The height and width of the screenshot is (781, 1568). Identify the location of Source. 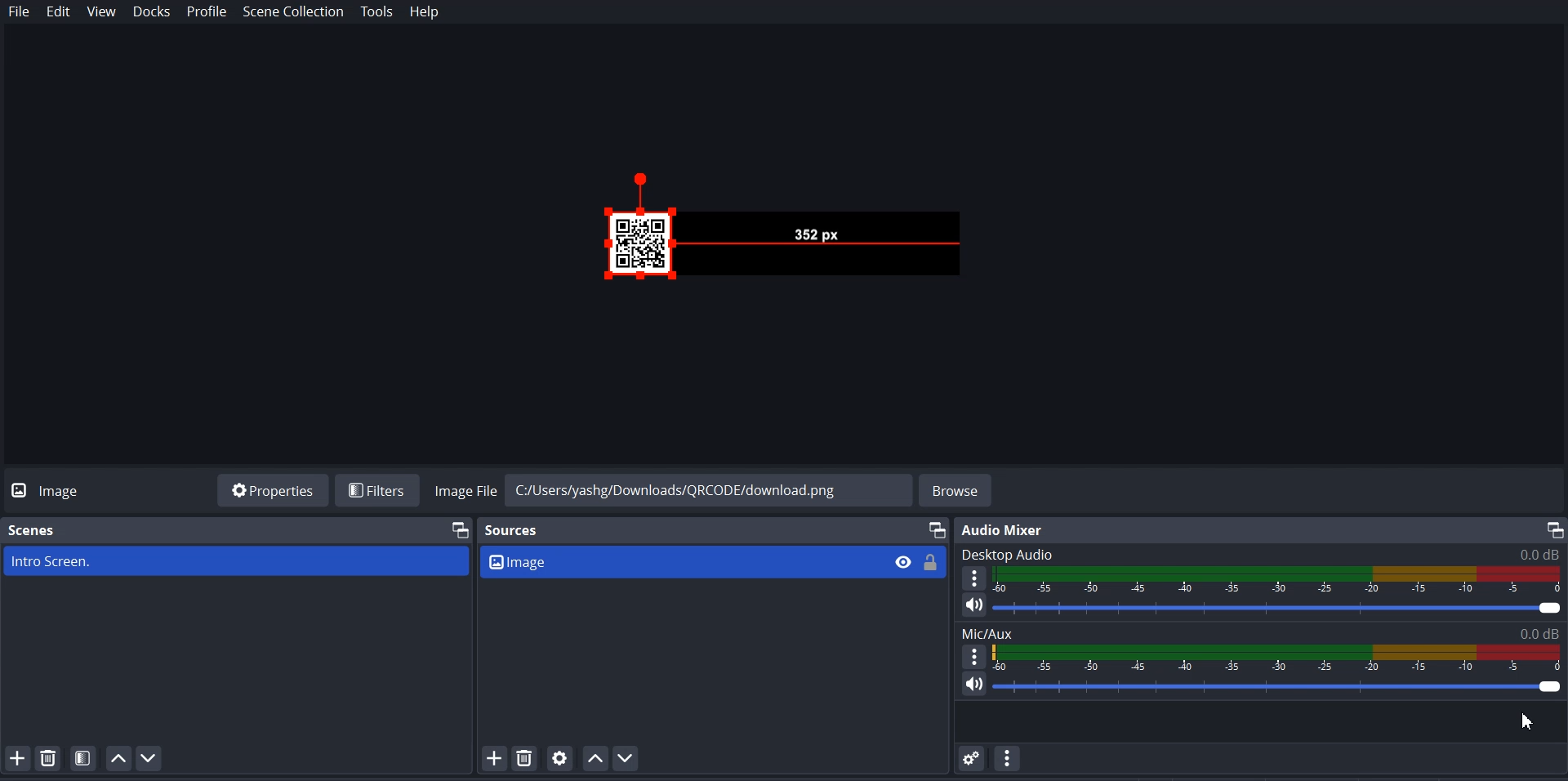
(513, 532).